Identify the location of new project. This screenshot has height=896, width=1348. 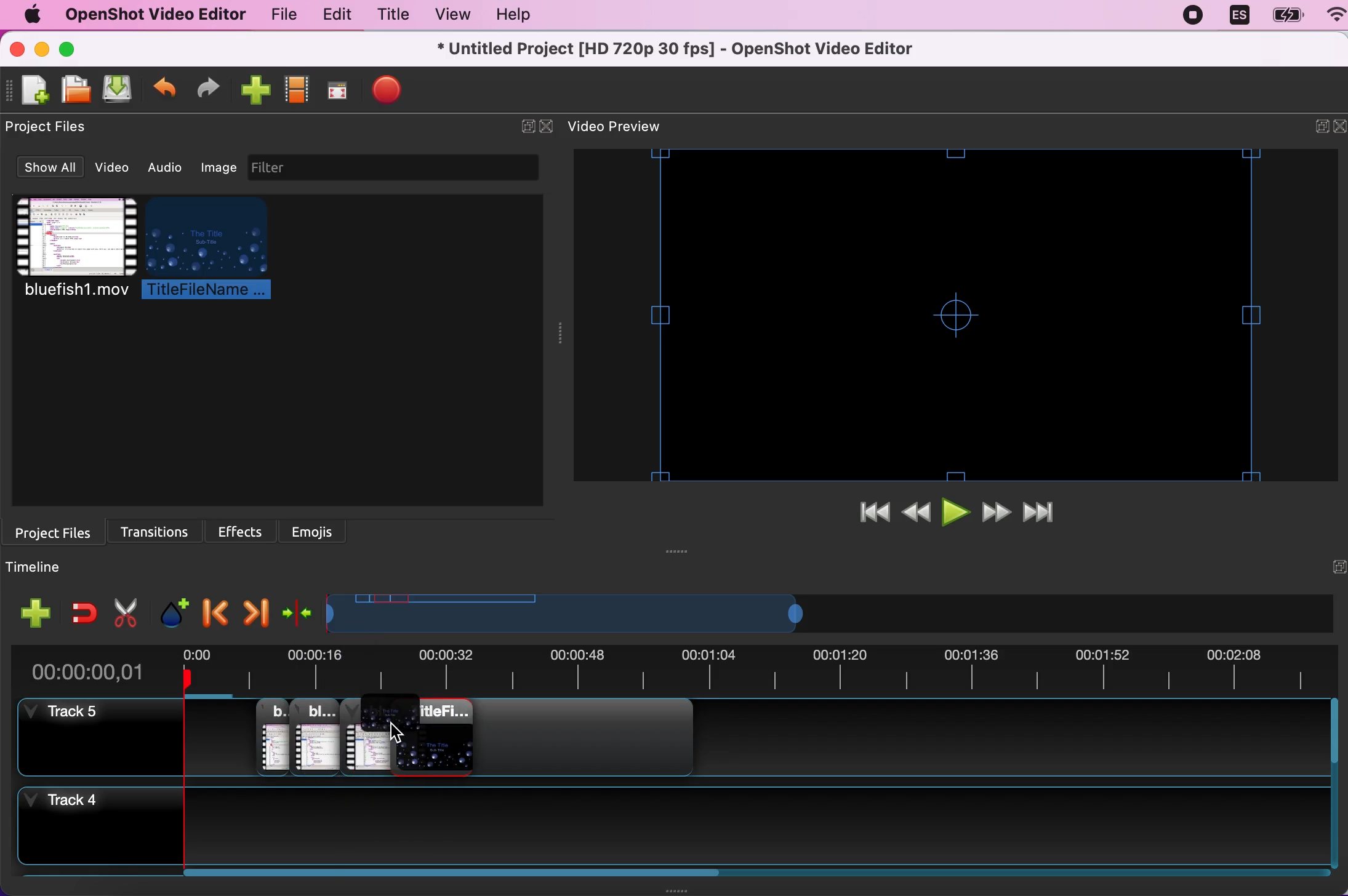
(33, 90).